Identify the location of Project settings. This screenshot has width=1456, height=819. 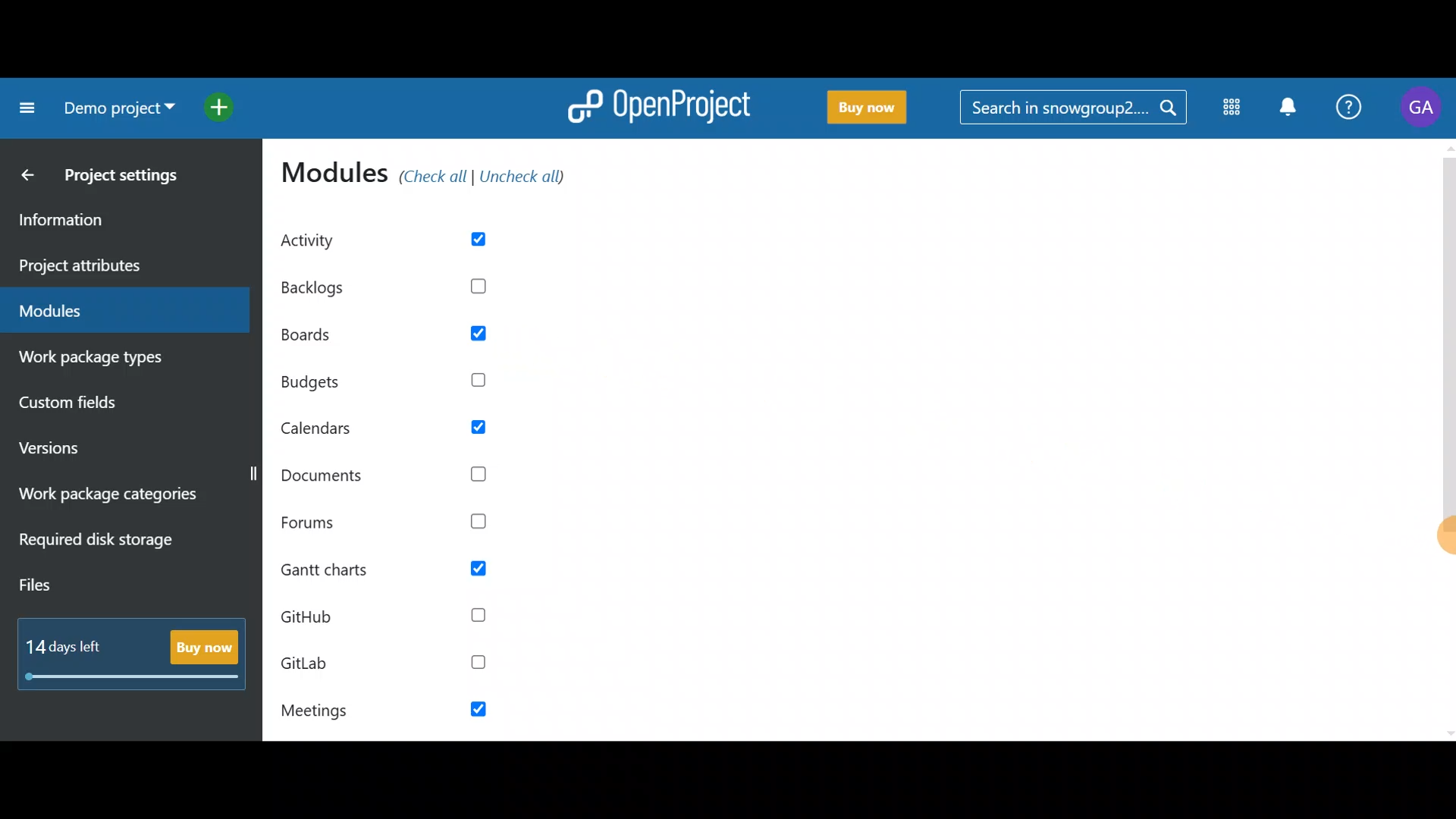
(129, 179).